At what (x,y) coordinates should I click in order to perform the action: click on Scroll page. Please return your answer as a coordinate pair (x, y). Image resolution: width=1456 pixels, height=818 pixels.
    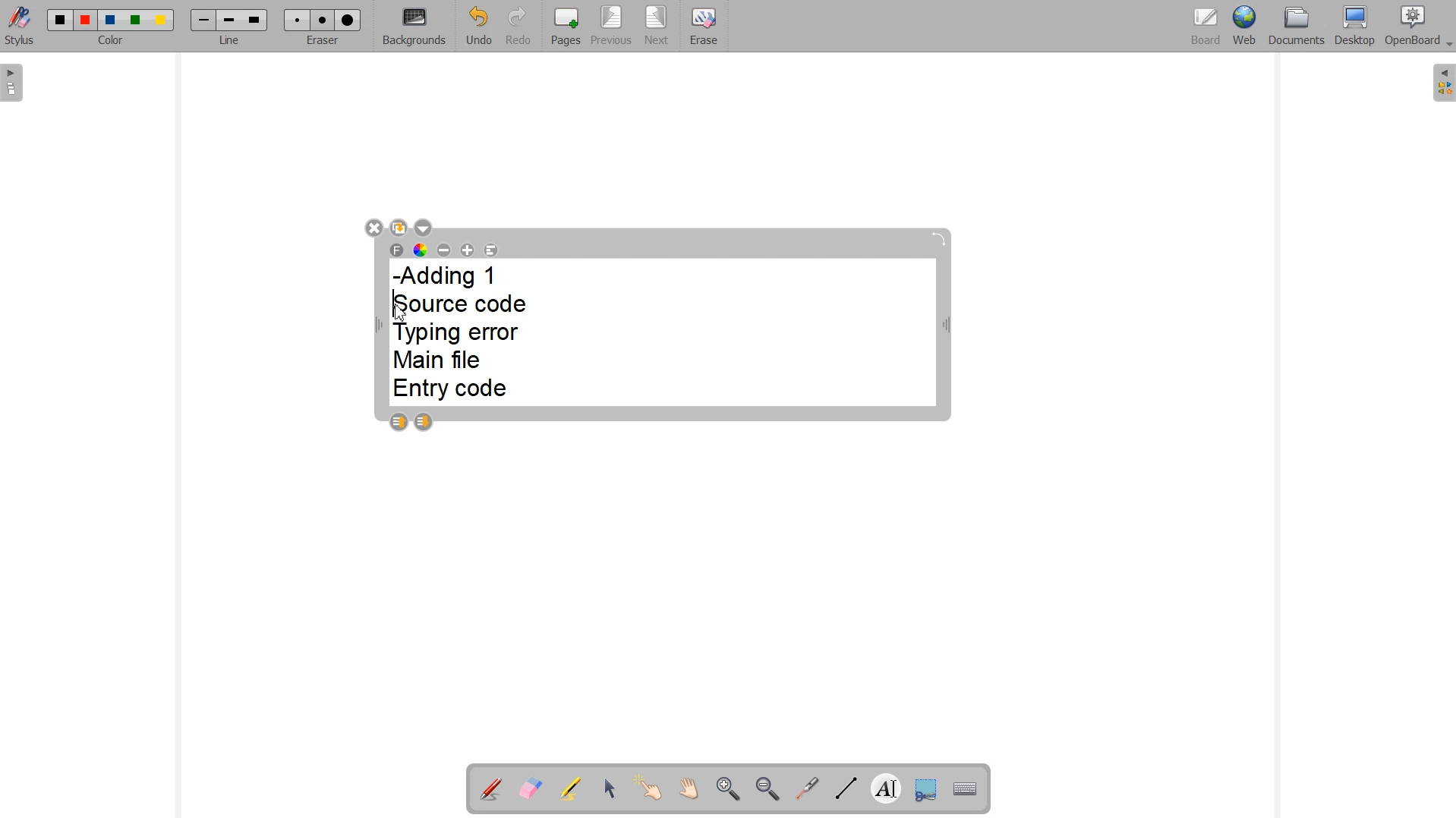
    Looking at the image, I should click on (689, 790).